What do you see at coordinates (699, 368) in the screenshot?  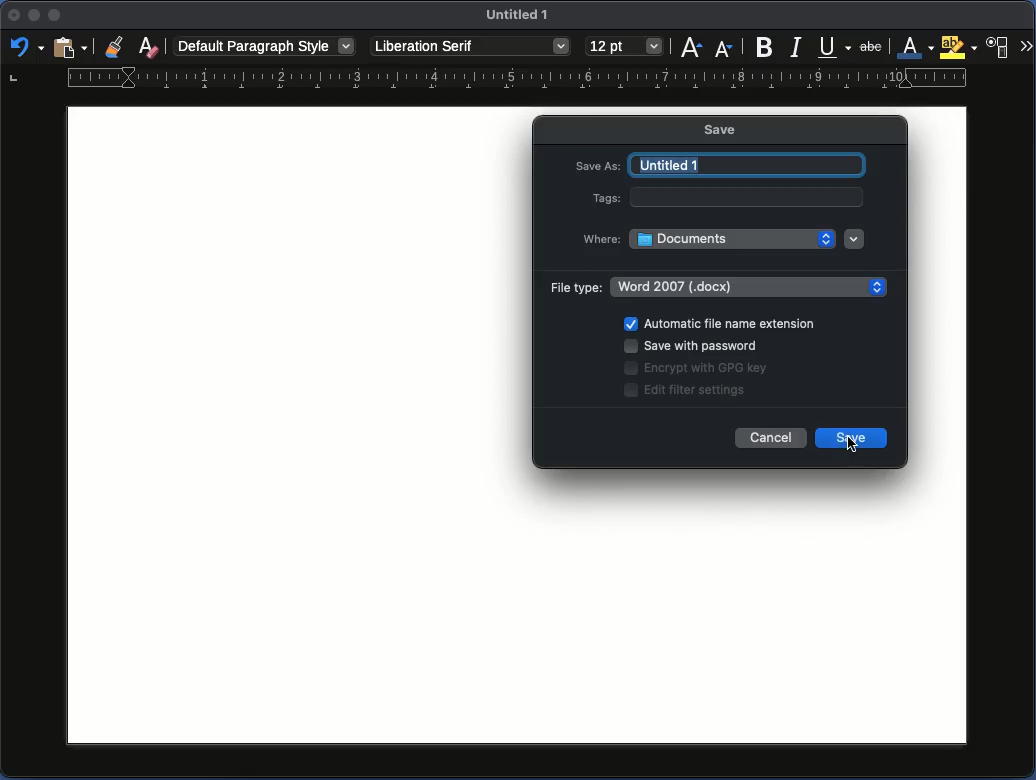 I see `Encrypt with GPG key` at bounding box center [699, 368].